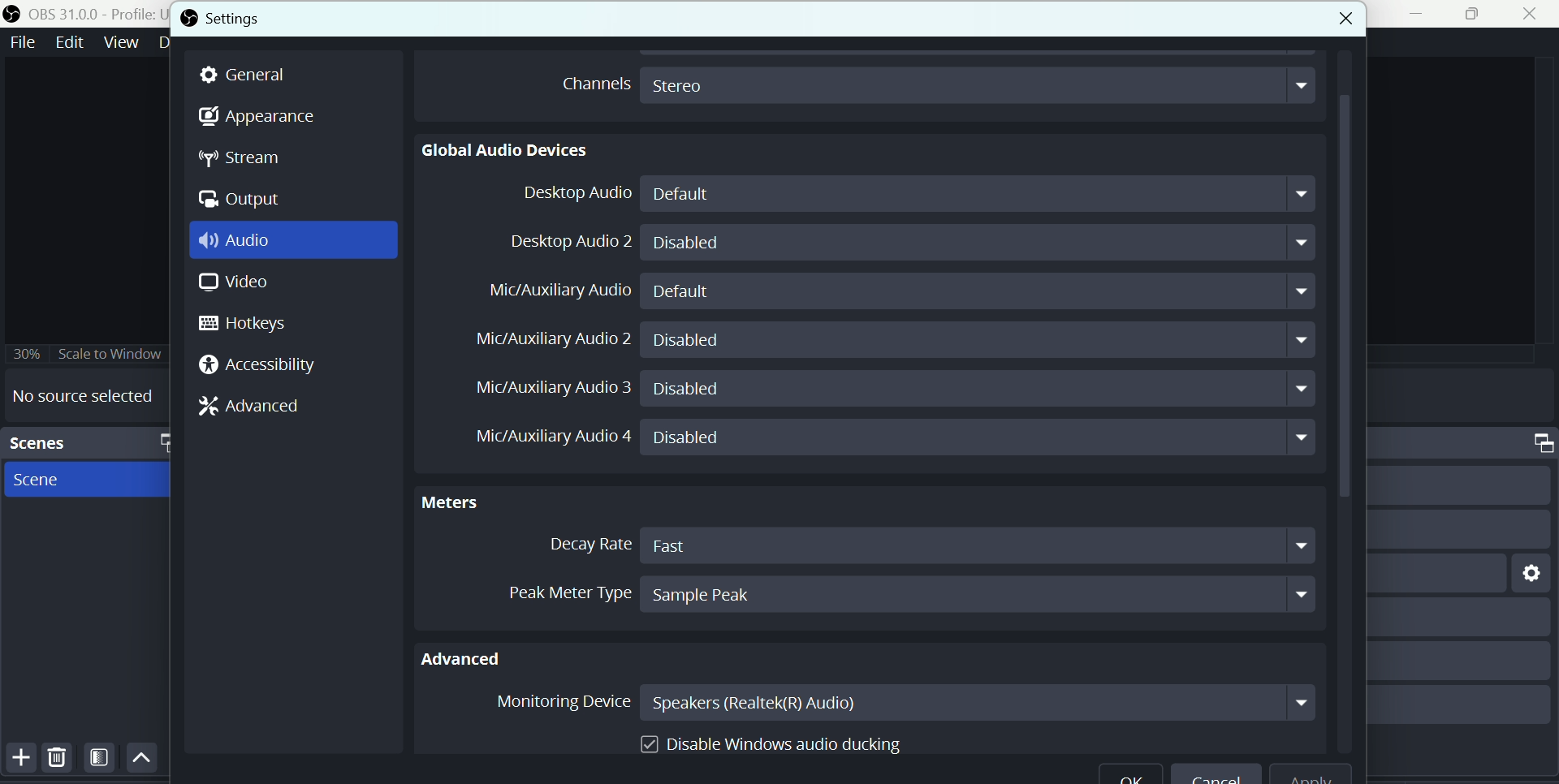  I want to click on Speakers Realtek R audio, so click(978, 702).